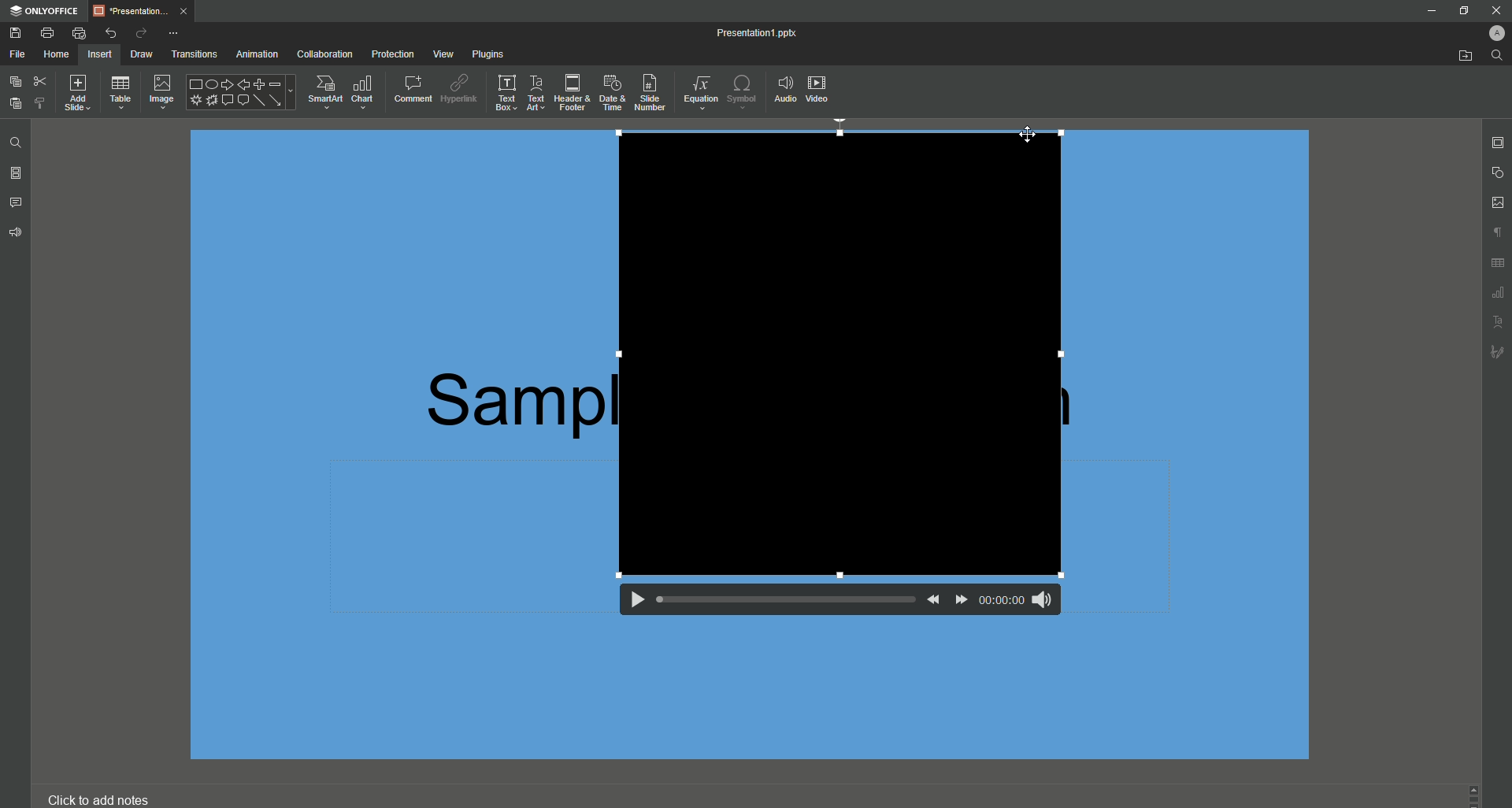 This screenshot has width=1512, height=808. Describe the element at coordinates (458, 88) in the screenshot. I see `Hyperlink` at that location.